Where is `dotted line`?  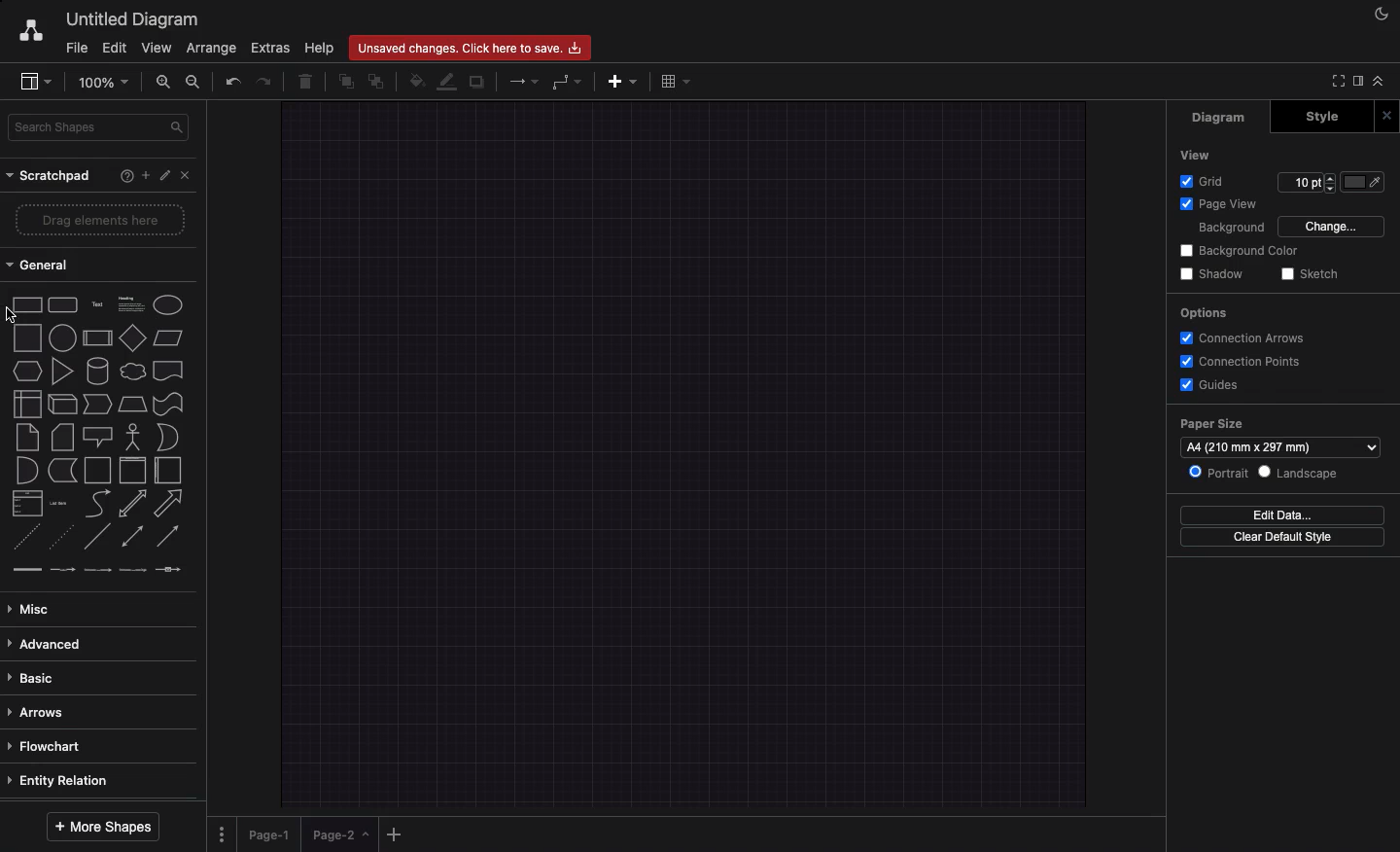 dotted line is located at coordinates (64, 539).